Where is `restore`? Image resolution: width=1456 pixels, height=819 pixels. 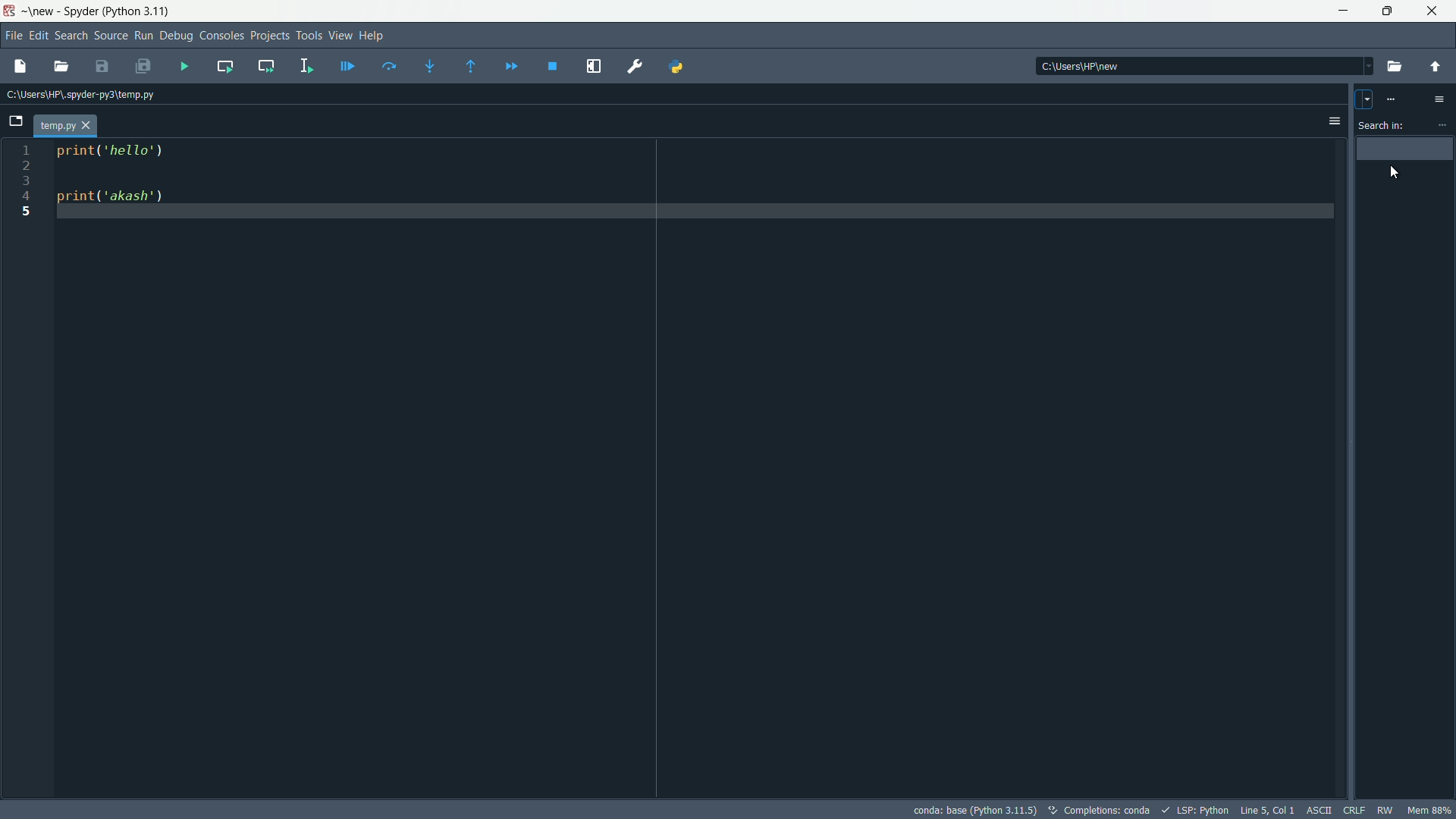 restore is located at coordinates (1385, 11).